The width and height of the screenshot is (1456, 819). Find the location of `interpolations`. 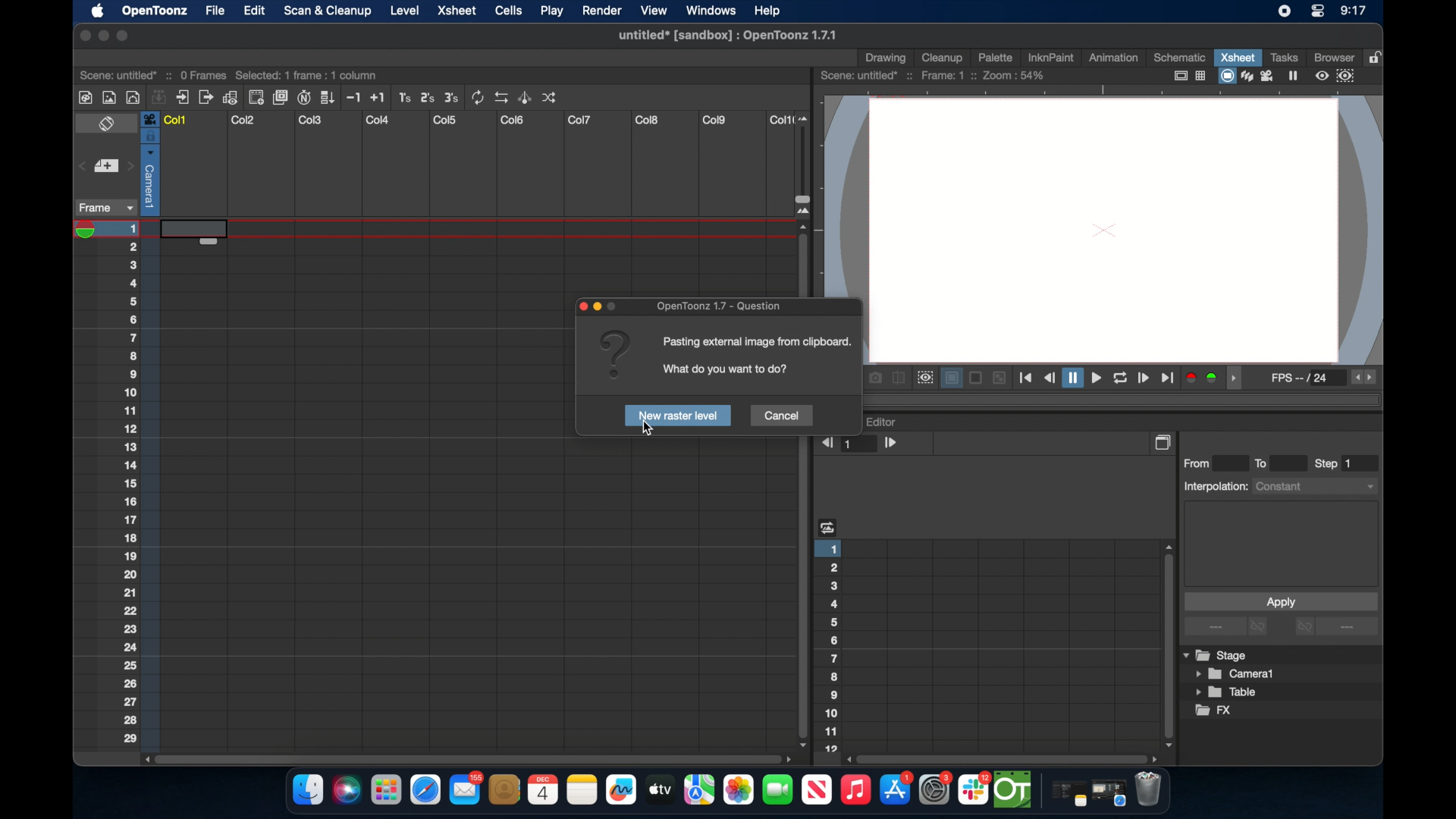

interpolations is located at coordinates (1279, 485).